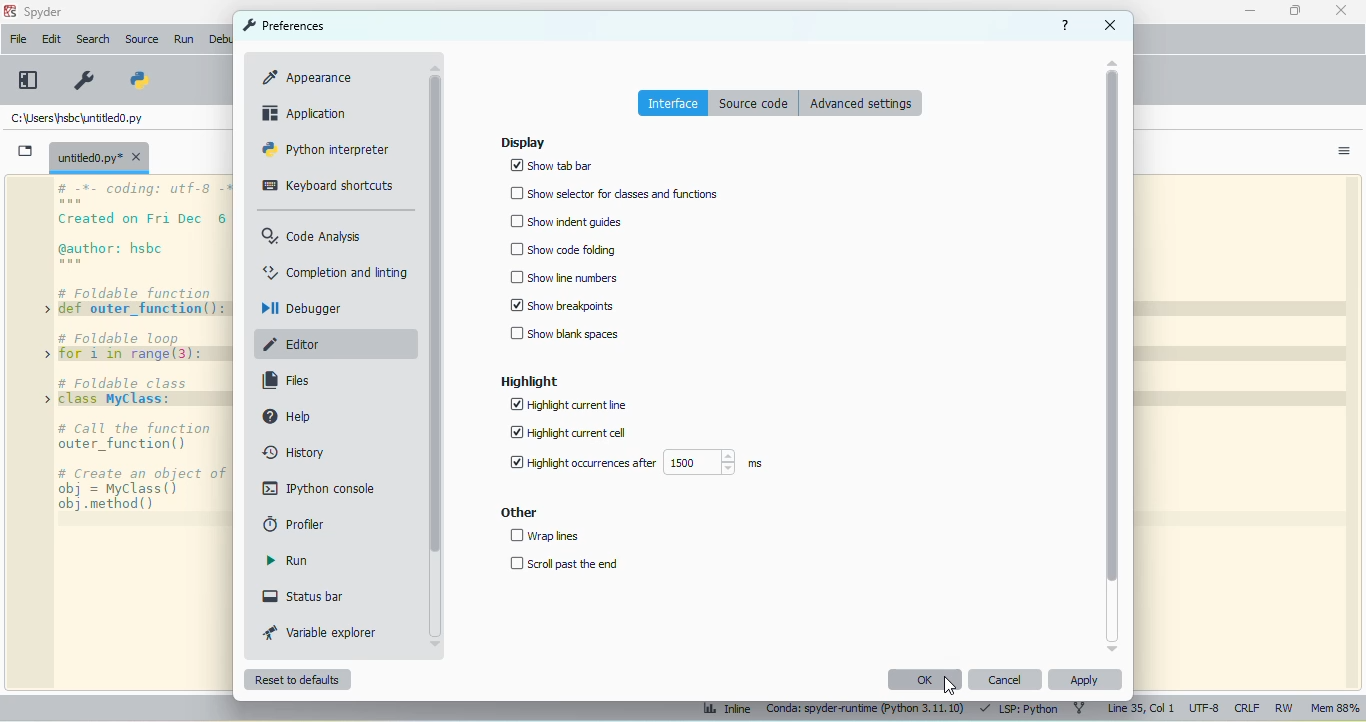  Describe the element at coordinates (1285, 708) in the screenshot. I see `RW` at that location.